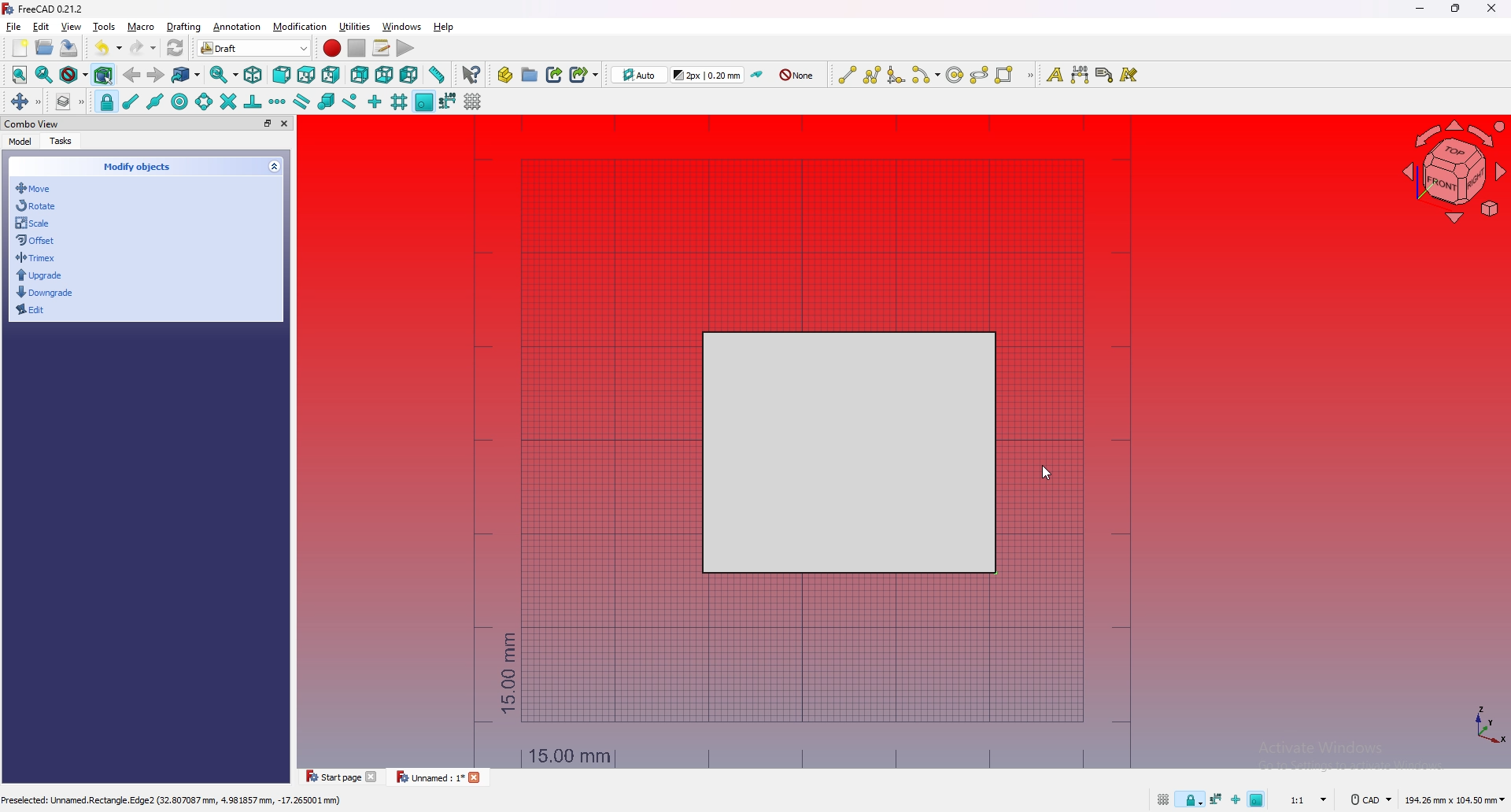  I want to click on tools, so click(105, 27).